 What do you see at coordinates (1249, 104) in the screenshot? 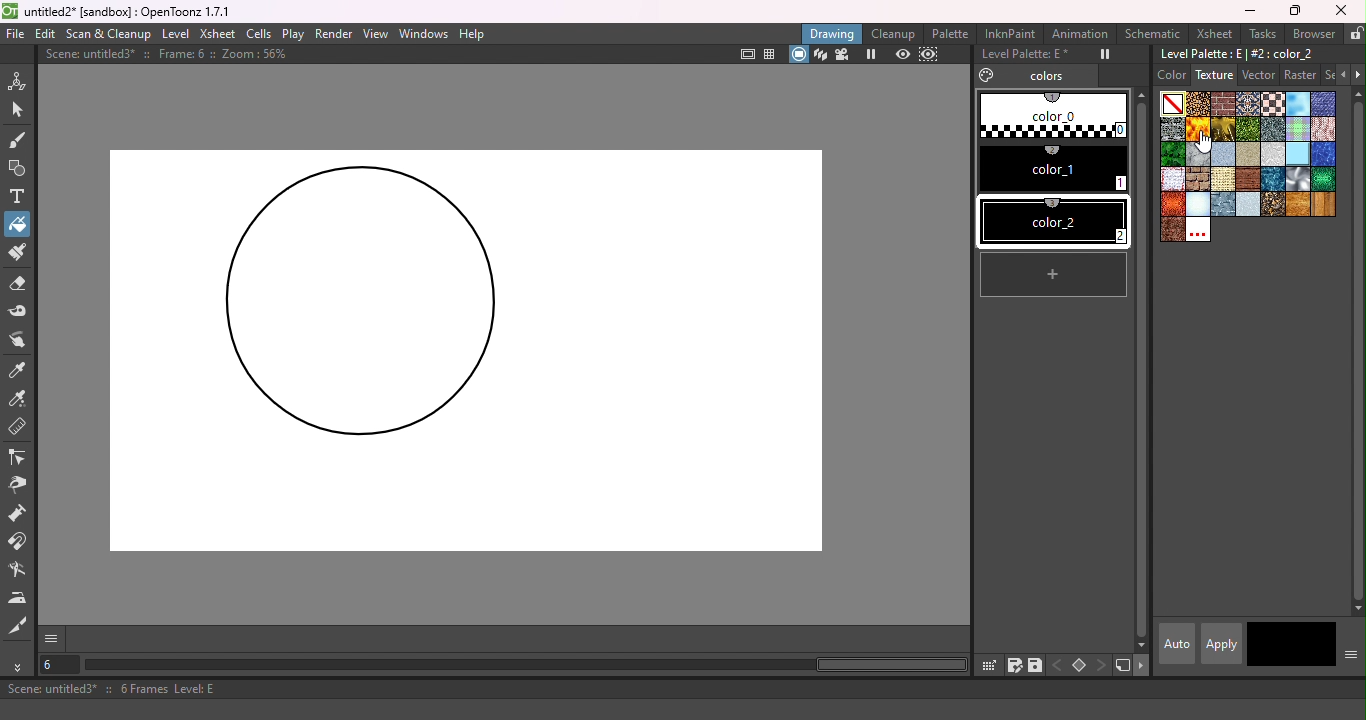
I see `Carpet.bmp` at bounding box center [1249, 104].